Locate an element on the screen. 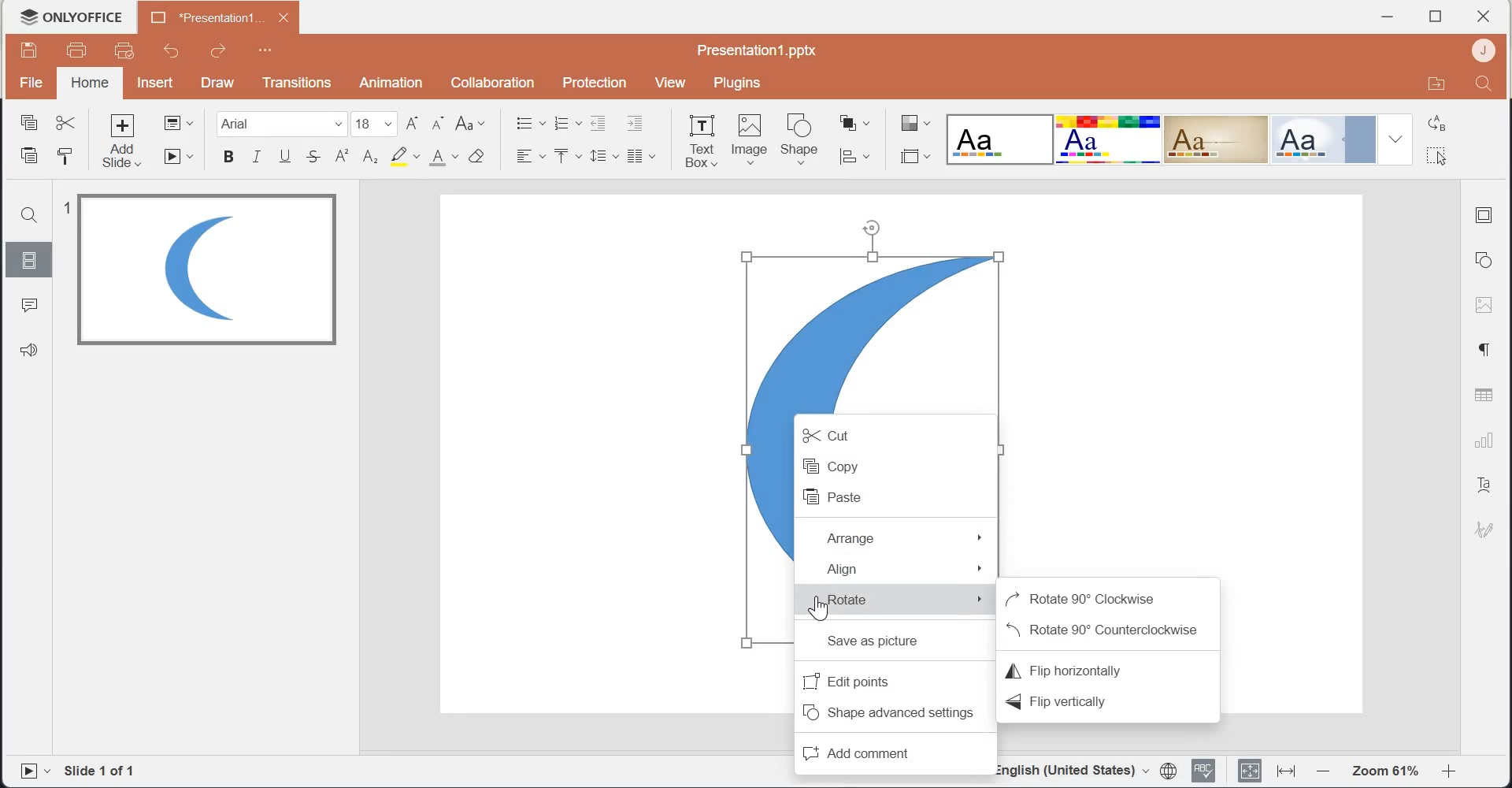  Save is located at coordinates (32, 50).